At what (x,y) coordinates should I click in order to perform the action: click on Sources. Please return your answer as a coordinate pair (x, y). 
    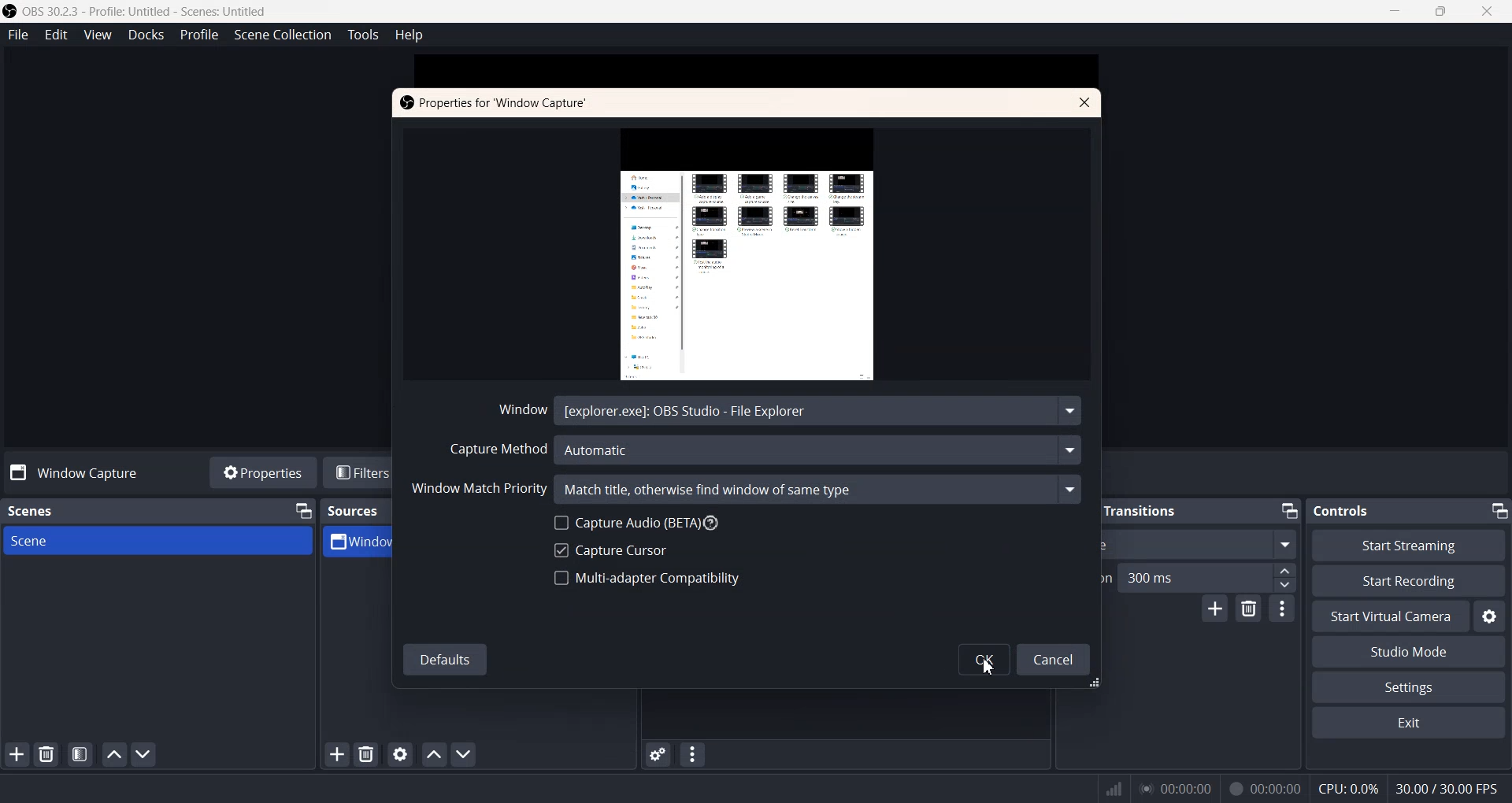
    Looking at the image, I should click on (357, 511).